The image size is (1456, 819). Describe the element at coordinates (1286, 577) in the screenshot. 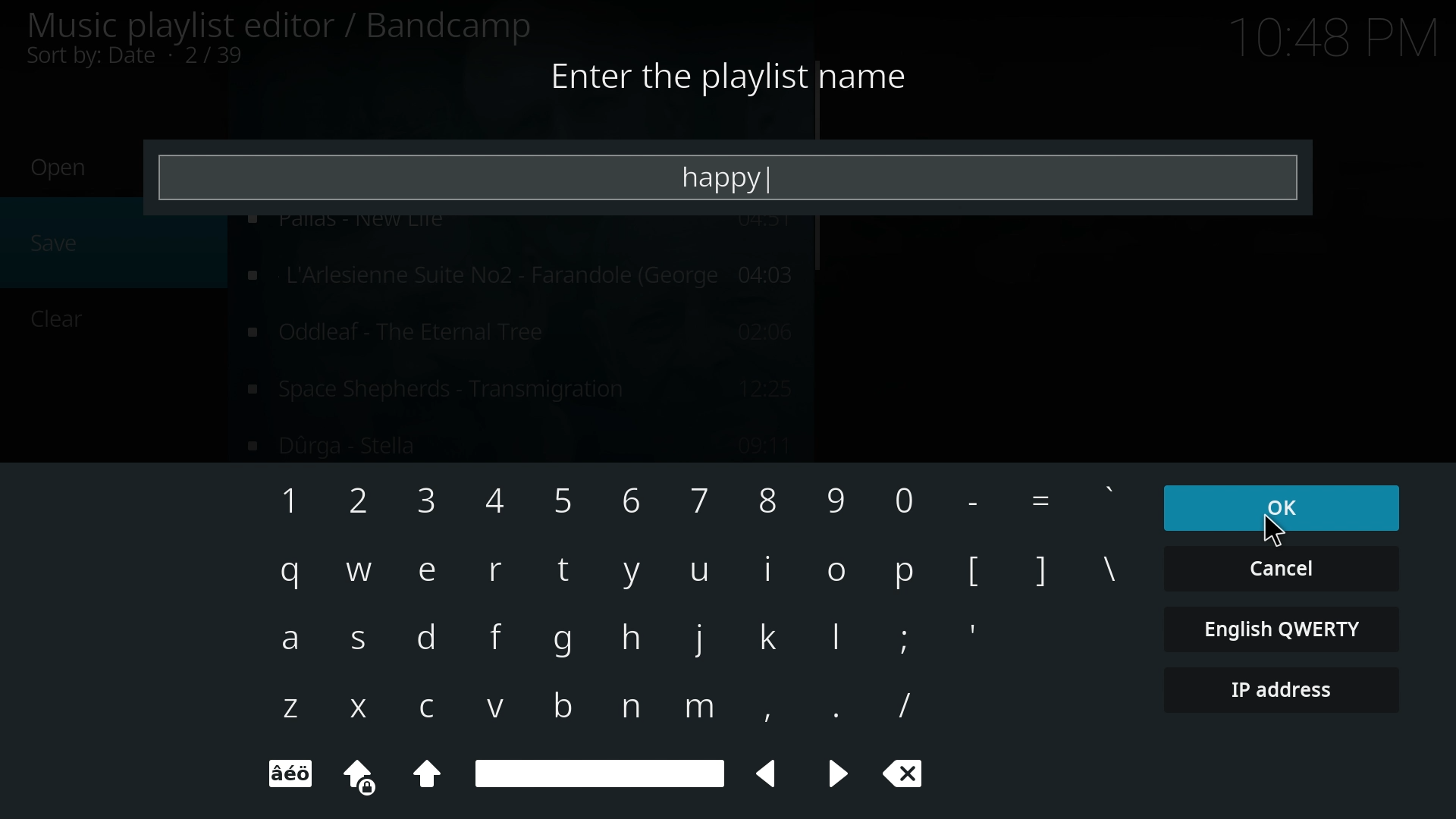

I see `cancel` at that location.